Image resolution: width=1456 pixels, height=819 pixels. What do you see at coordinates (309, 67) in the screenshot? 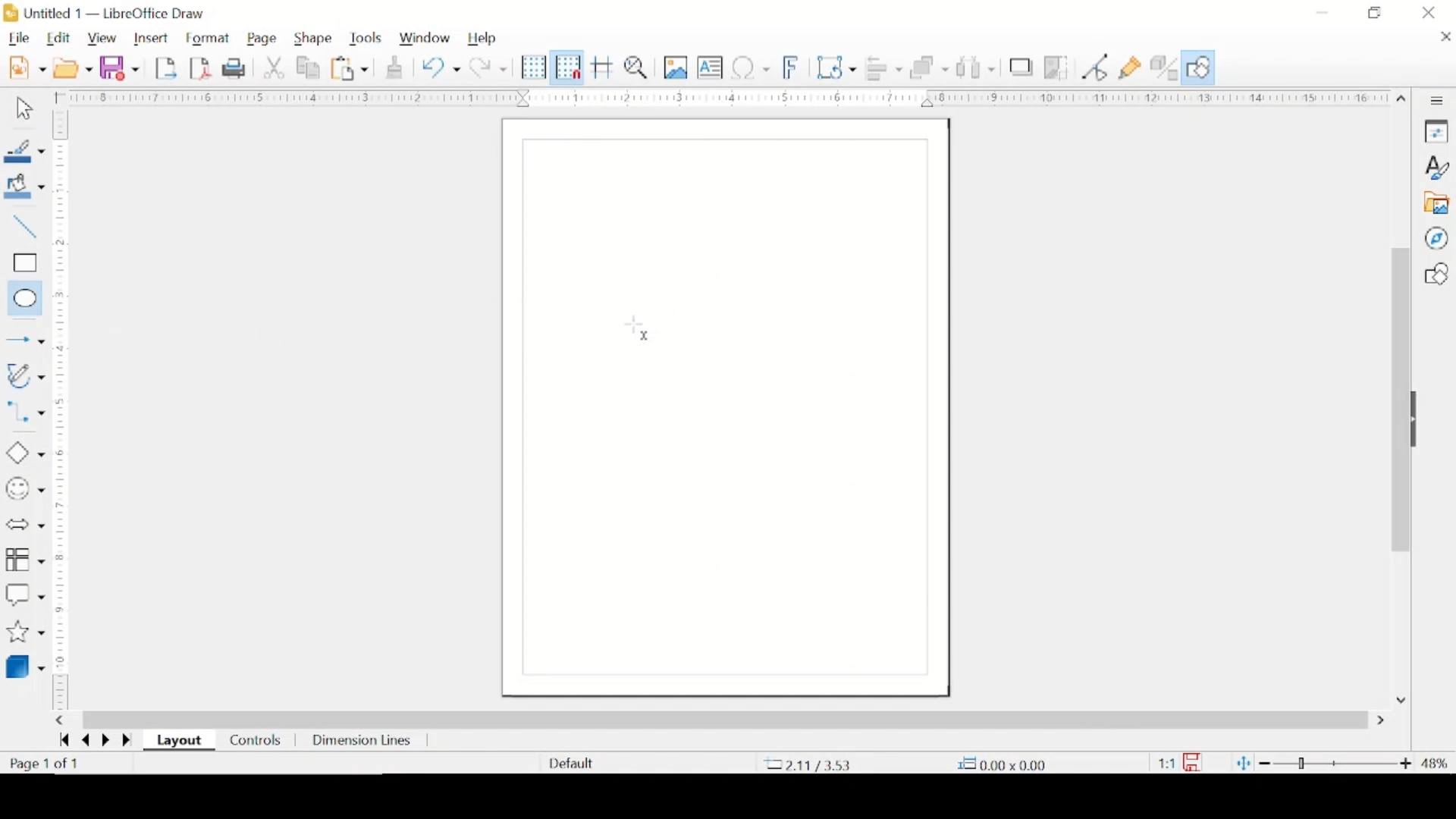
I see `copy` at bounding box center [309, 67].